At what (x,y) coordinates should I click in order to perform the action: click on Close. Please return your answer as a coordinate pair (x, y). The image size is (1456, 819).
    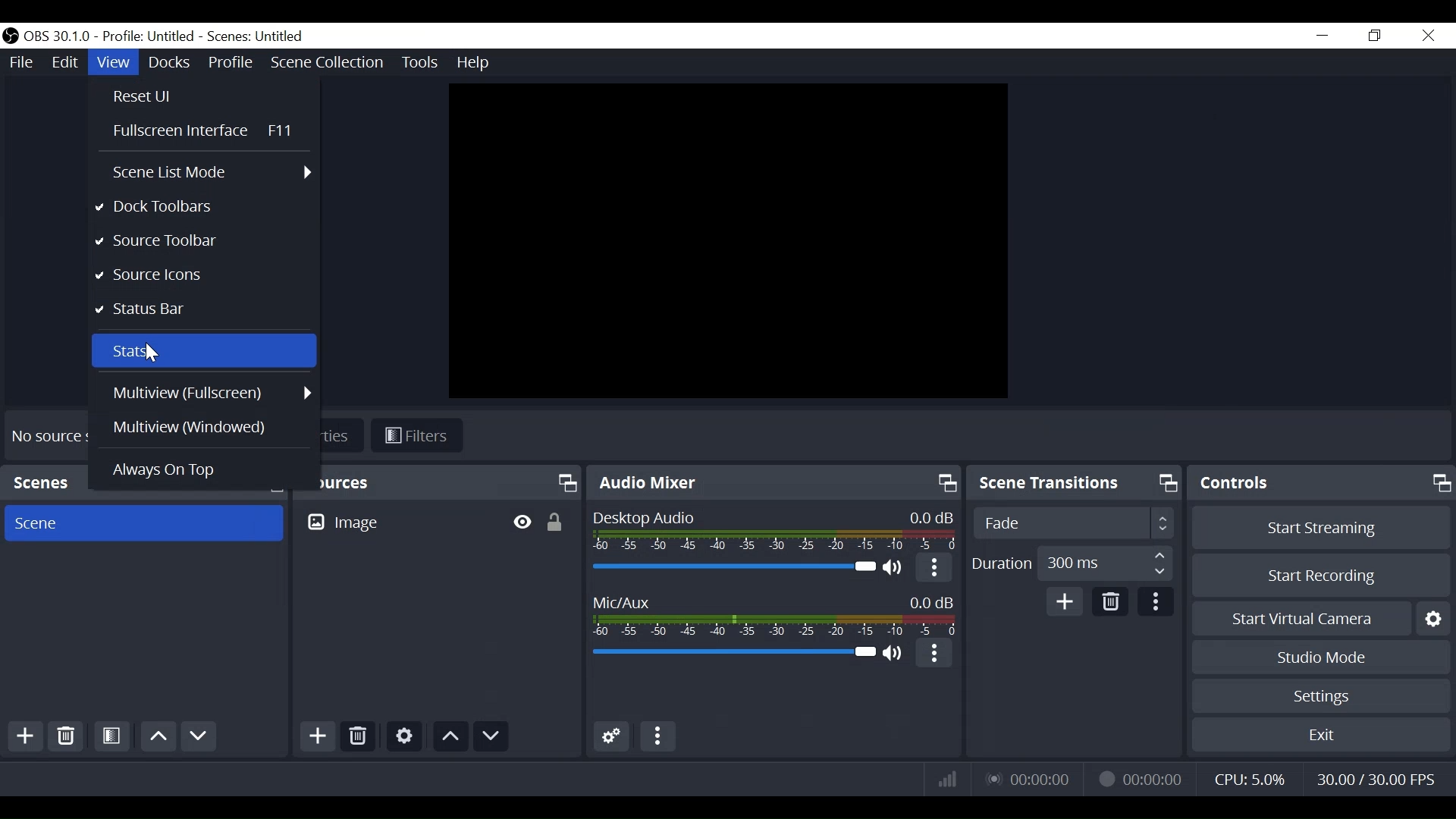
    Looking at the image, I should click on (1427, 35).